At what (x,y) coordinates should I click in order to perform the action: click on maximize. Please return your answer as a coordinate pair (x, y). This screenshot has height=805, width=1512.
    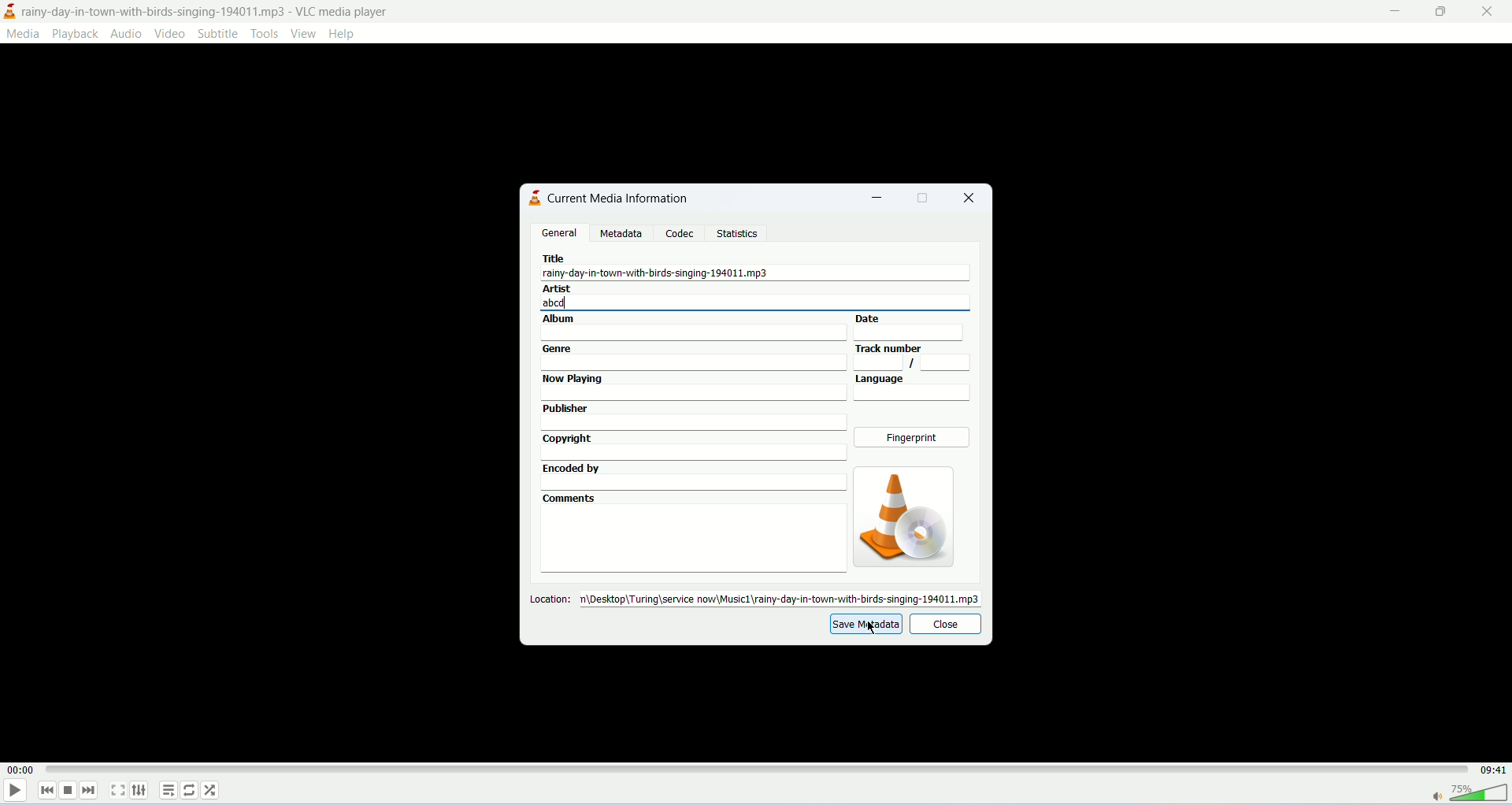
    Looking at the image, I should click on (924, 198).